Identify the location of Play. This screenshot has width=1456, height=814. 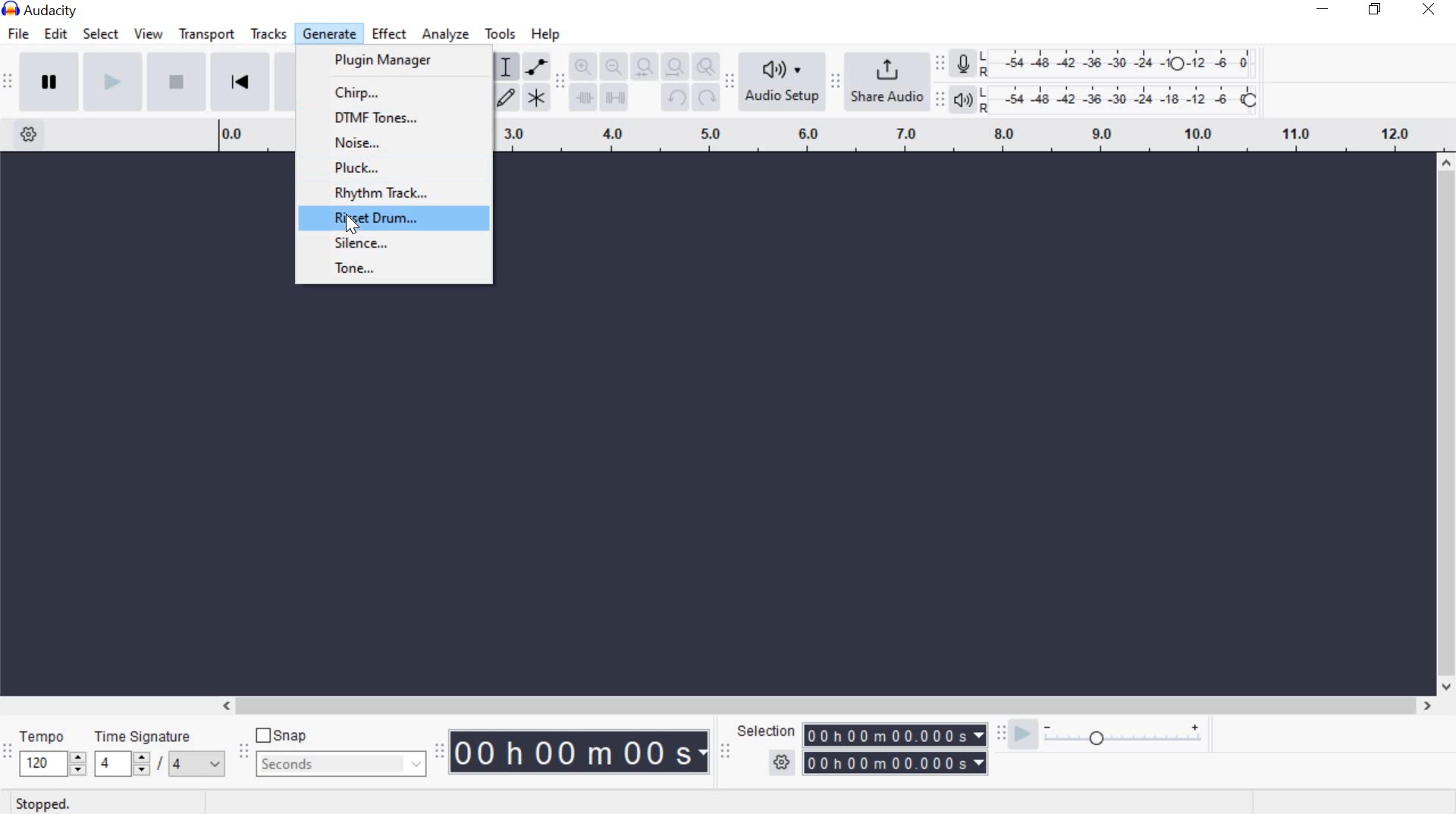
(110, 81).